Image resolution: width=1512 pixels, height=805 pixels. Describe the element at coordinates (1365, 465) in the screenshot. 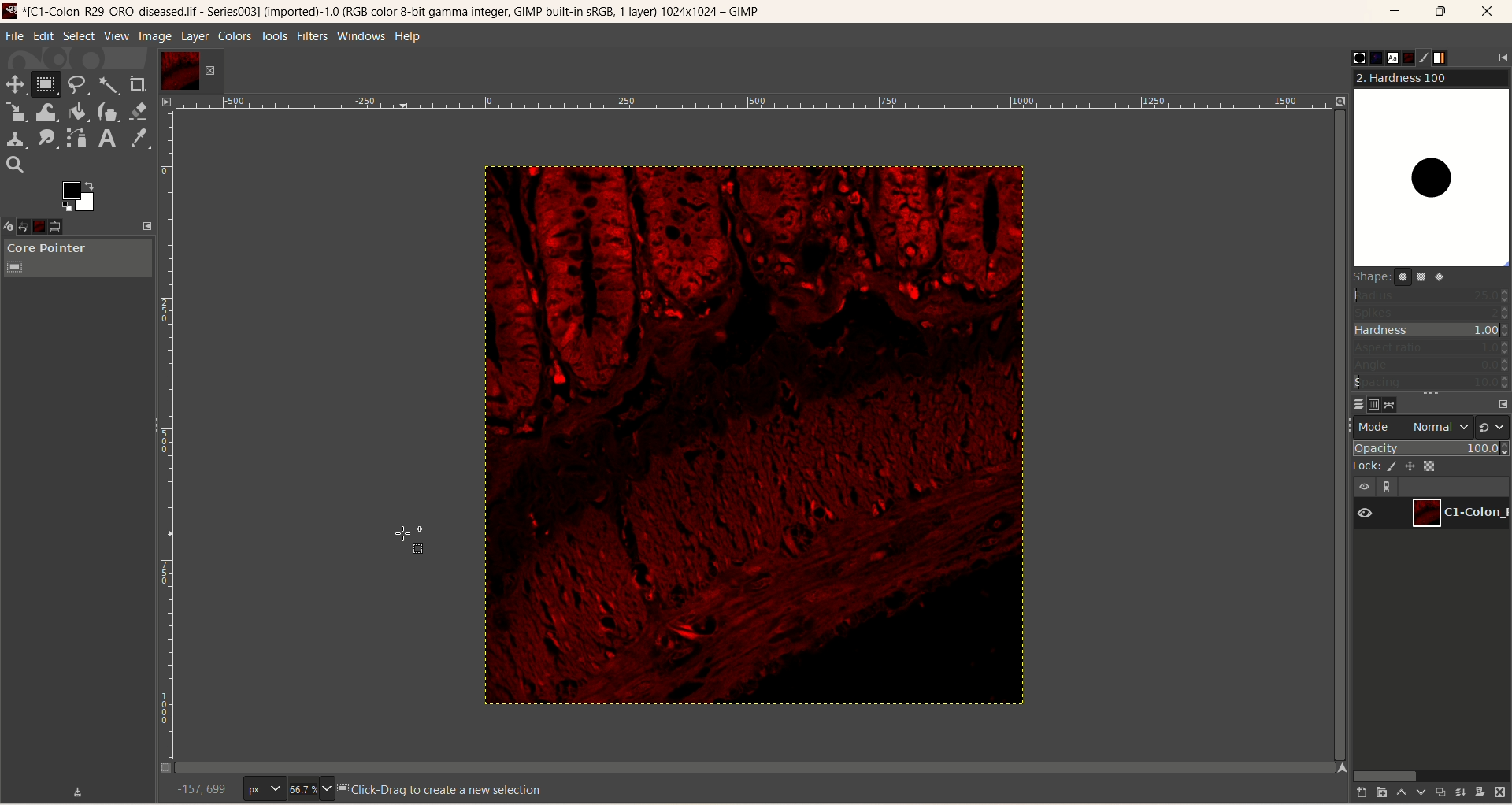

I see `lock` at that location.